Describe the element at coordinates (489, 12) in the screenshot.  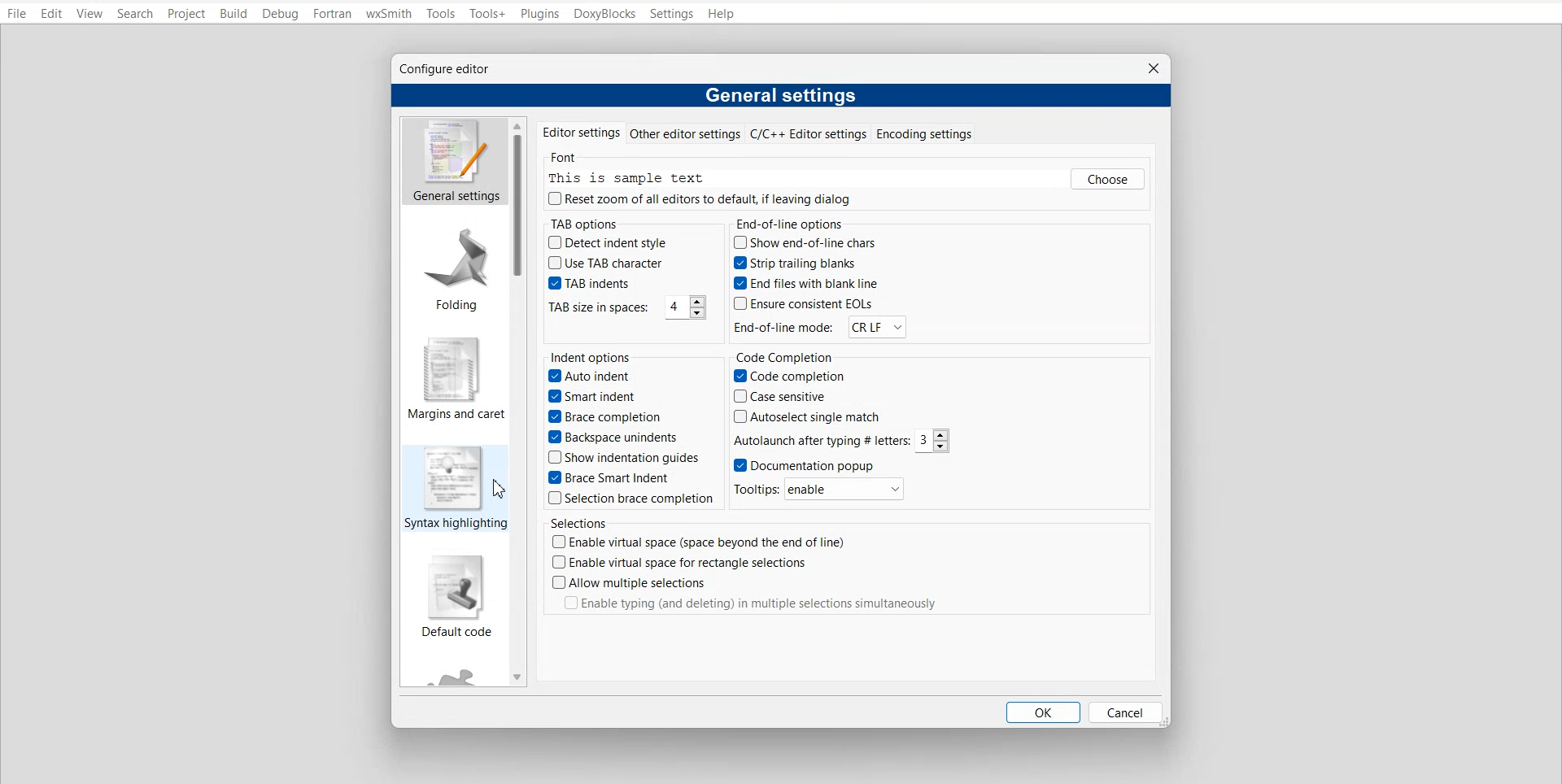
I see `Tools+` at that location.